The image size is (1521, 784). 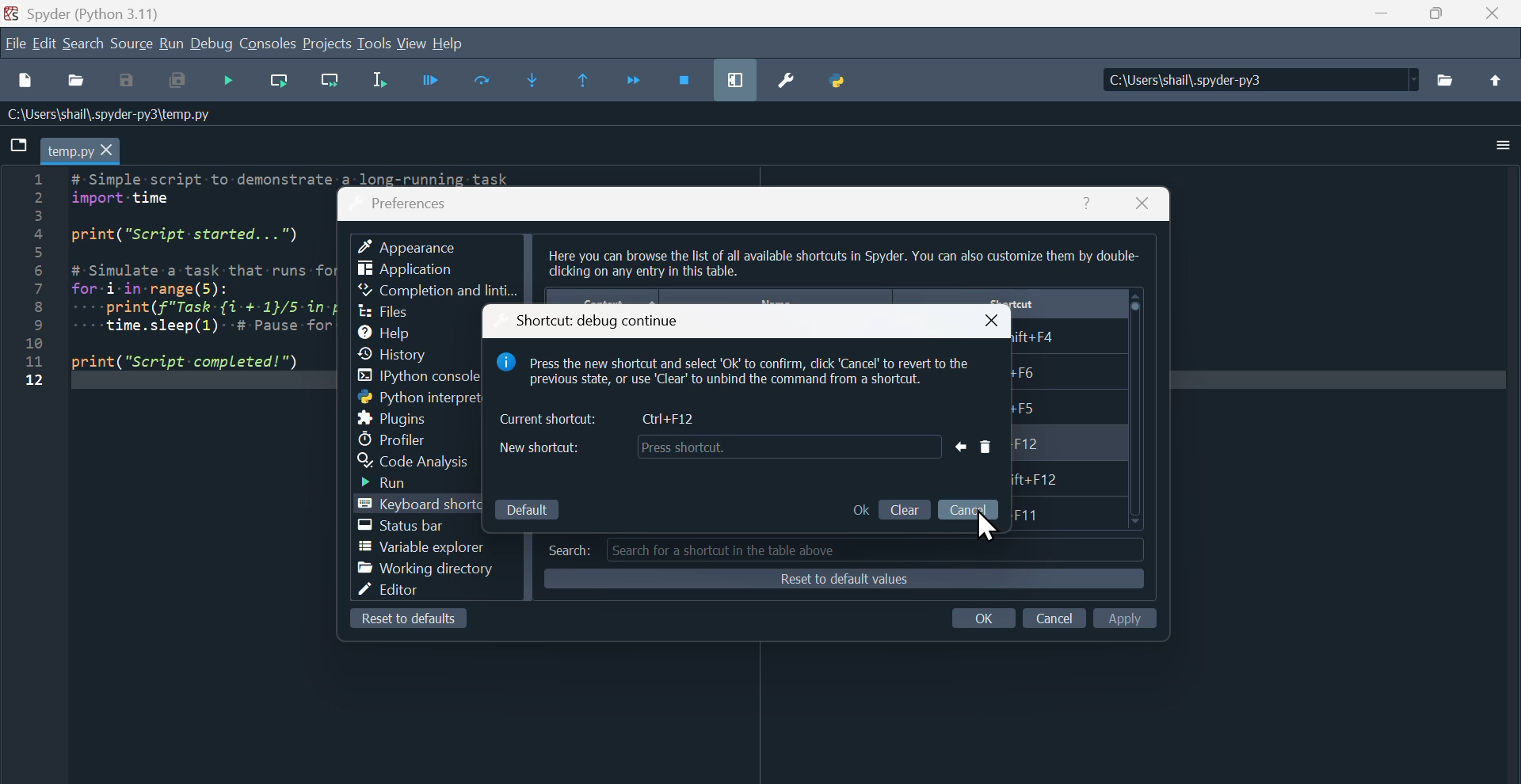 What do you see at coordinates (744, 451) in the screenshot?
I see `New shortcut` at bounding box center [744, 451].